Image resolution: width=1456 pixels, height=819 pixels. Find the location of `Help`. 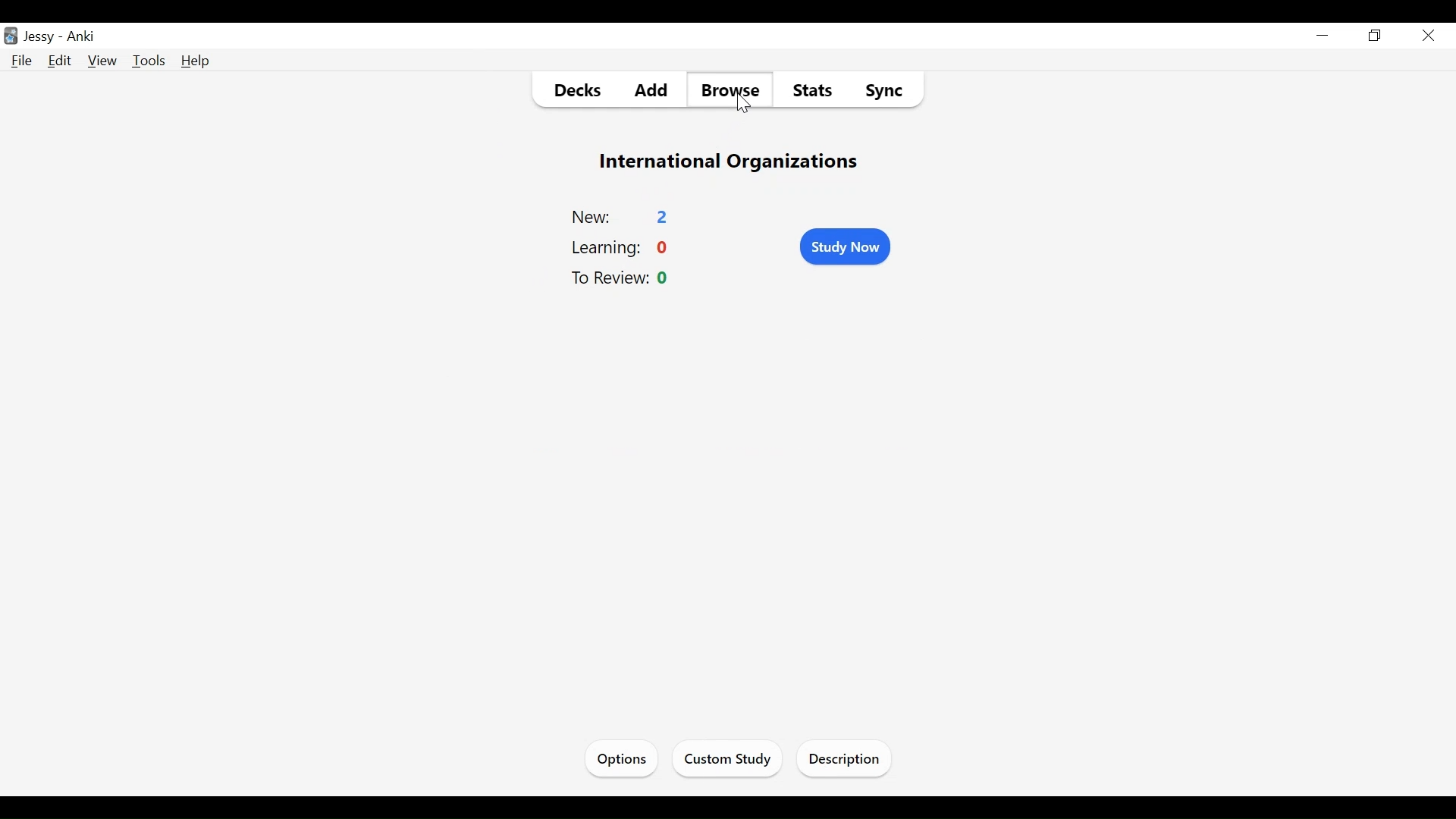

Help is located at coordinates (195, 61).